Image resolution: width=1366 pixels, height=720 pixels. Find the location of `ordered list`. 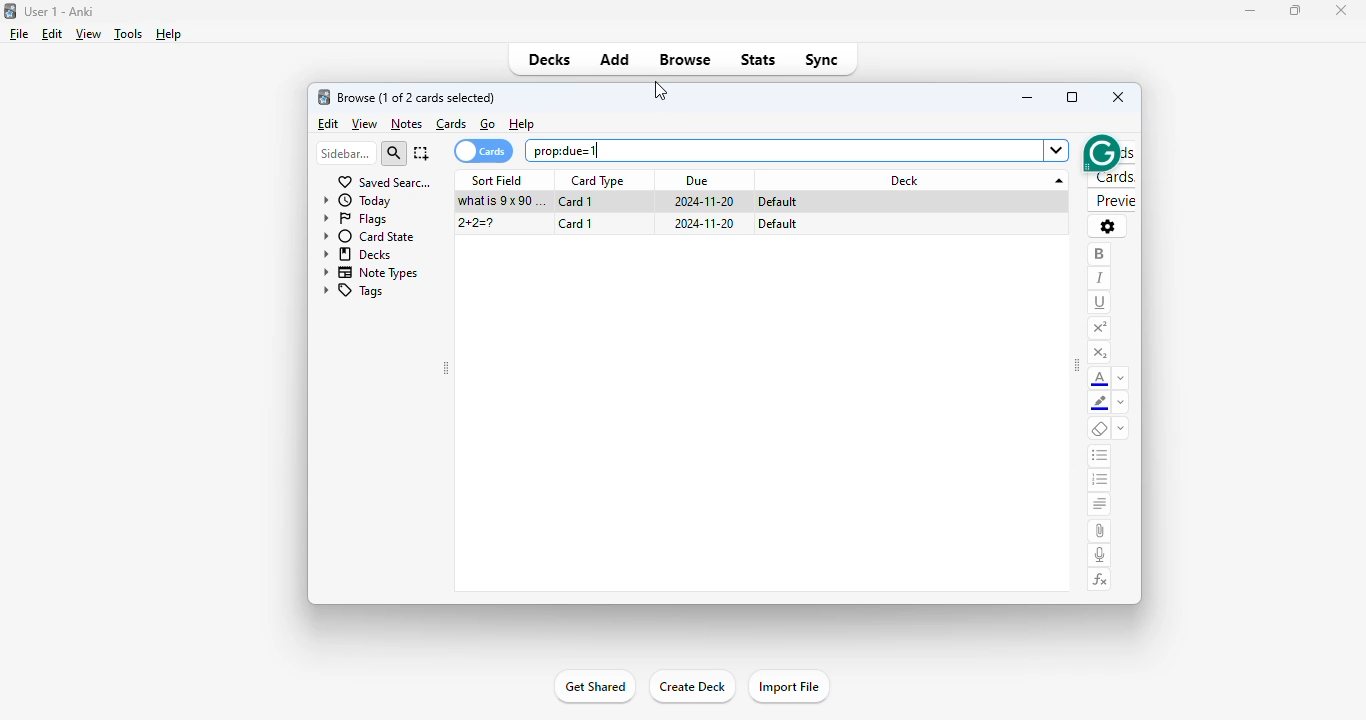

ordered list is located at coordinates (1100, 481).